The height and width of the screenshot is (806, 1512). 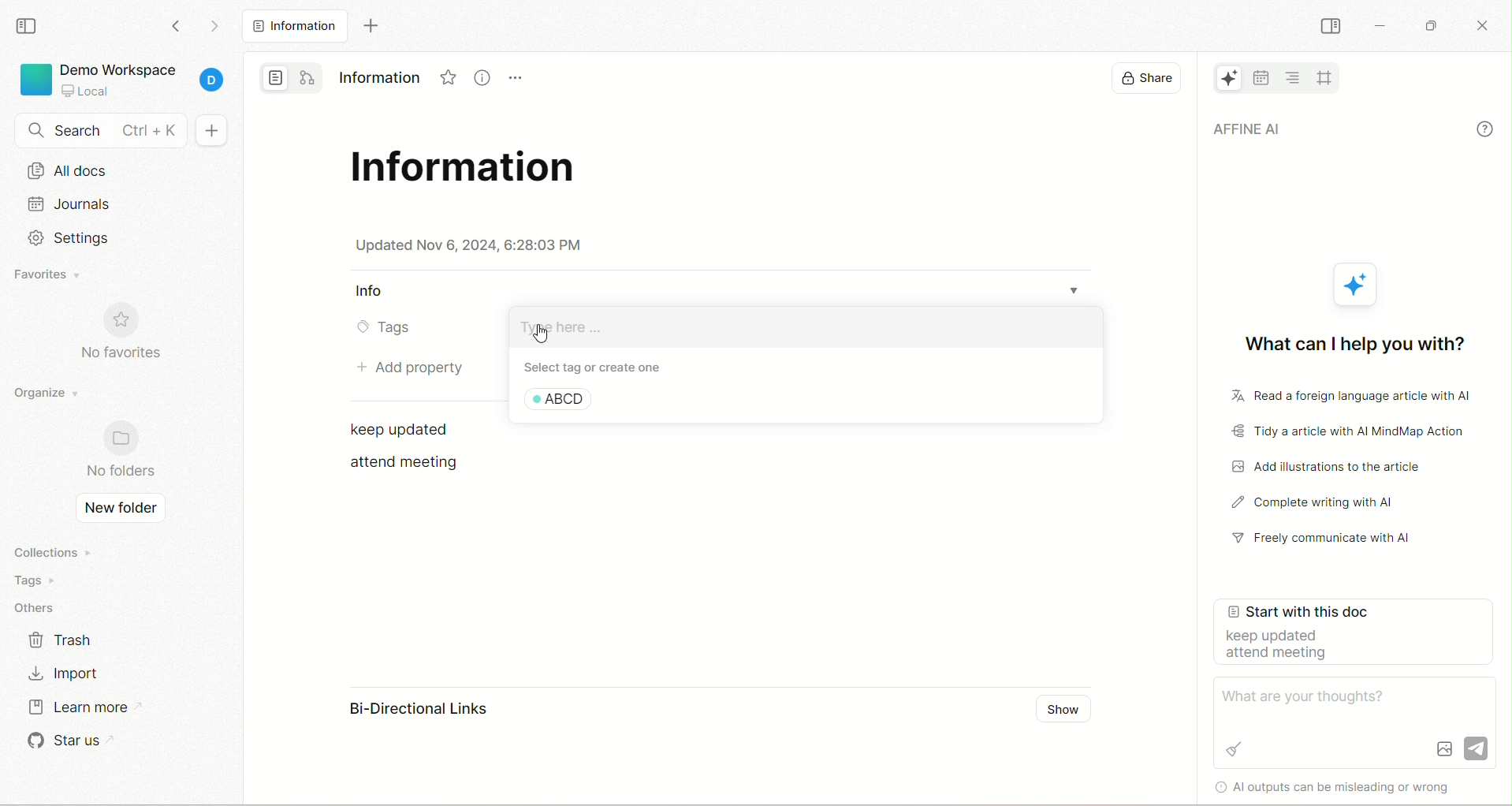 I want to click on tidy the article with AI mindmap action, so click(x=1350, y=433).